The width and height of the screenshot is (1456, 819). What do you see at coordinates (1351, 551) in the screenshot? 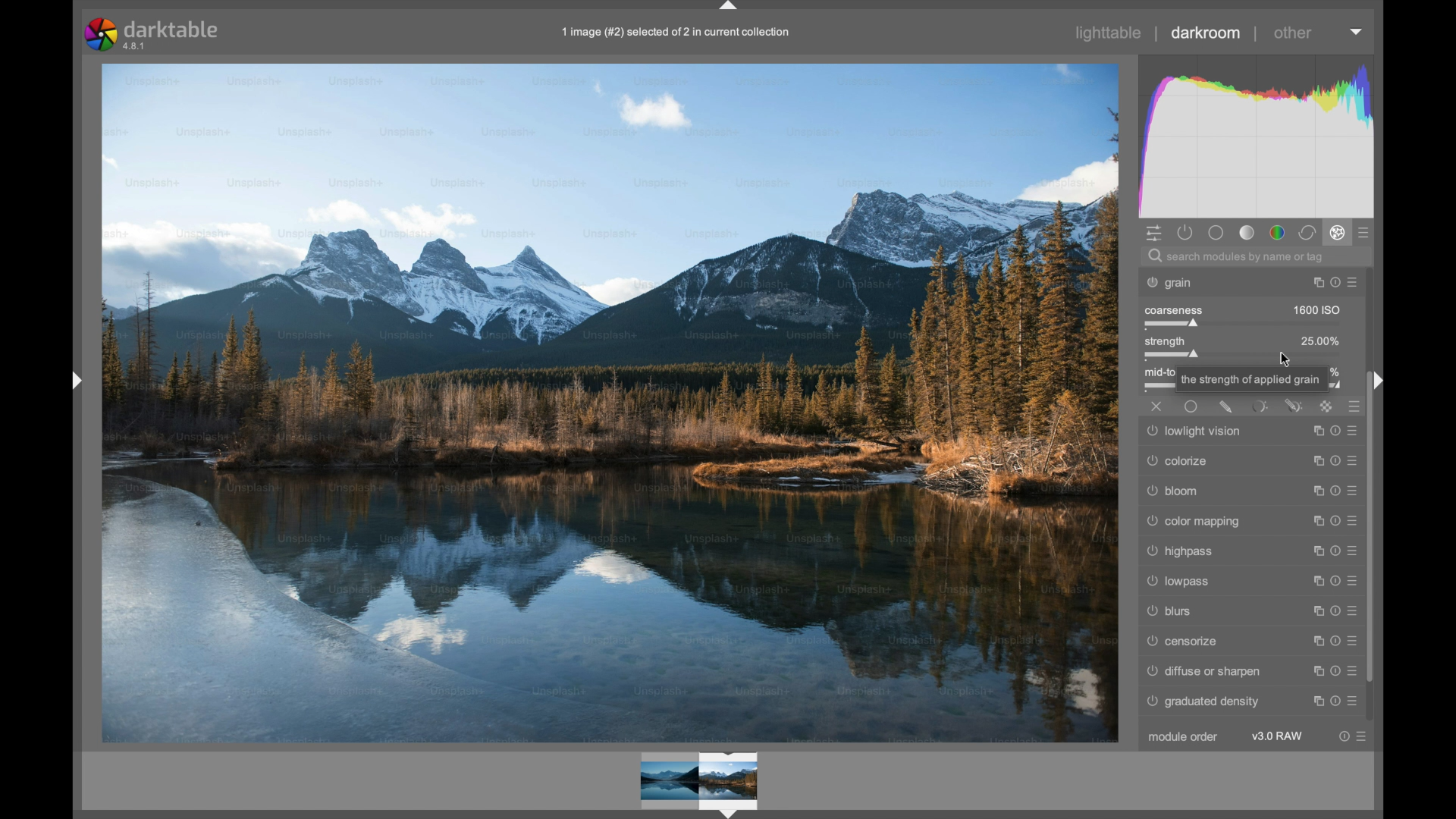
I see `presets` at bounding box center [1351, 551].